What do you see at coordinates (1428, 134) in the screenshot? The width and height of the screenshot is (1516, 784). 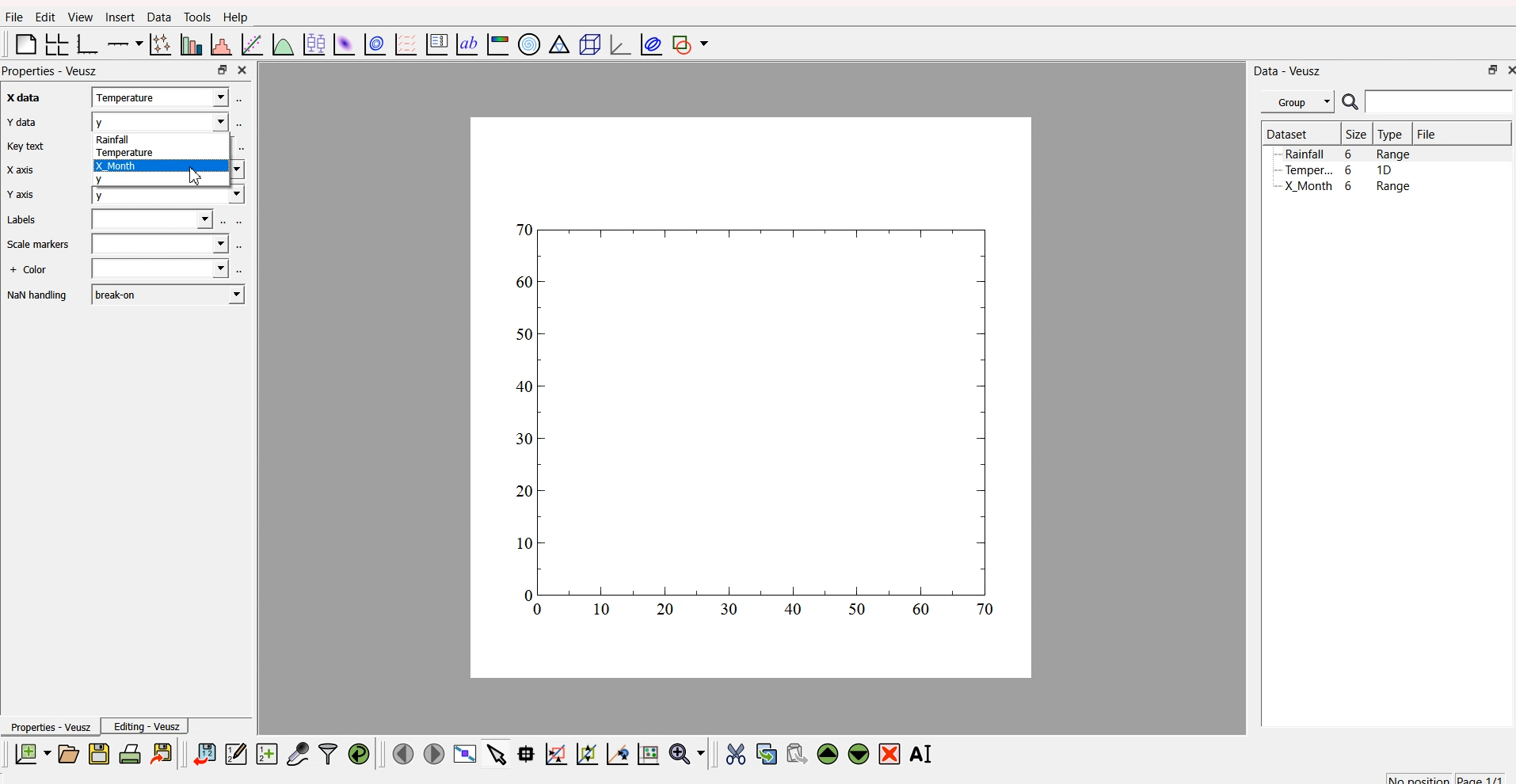 I see `File` at bounding box center [1428, 134].